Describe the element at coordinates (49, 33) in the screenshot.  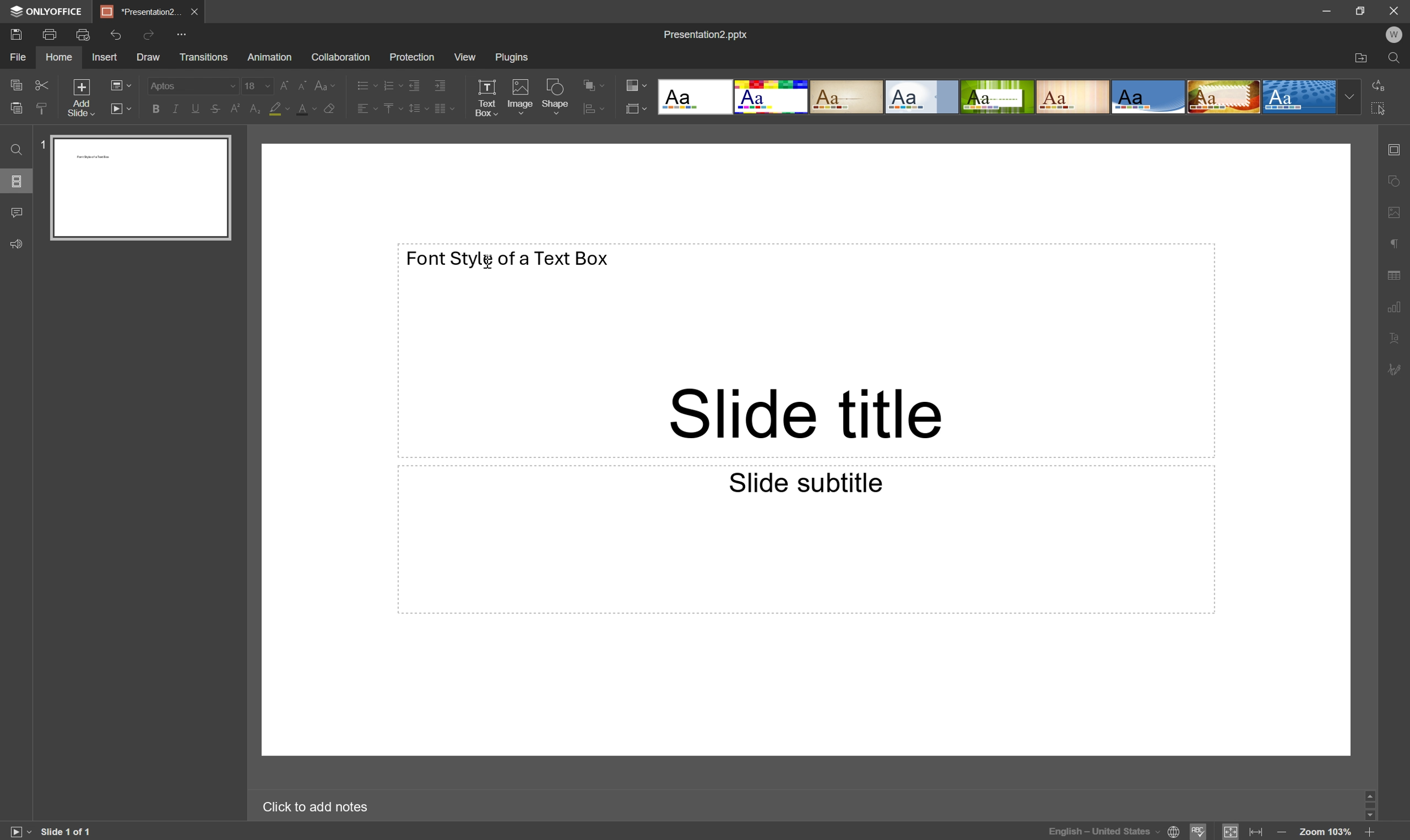
I see `Print file` at that location.